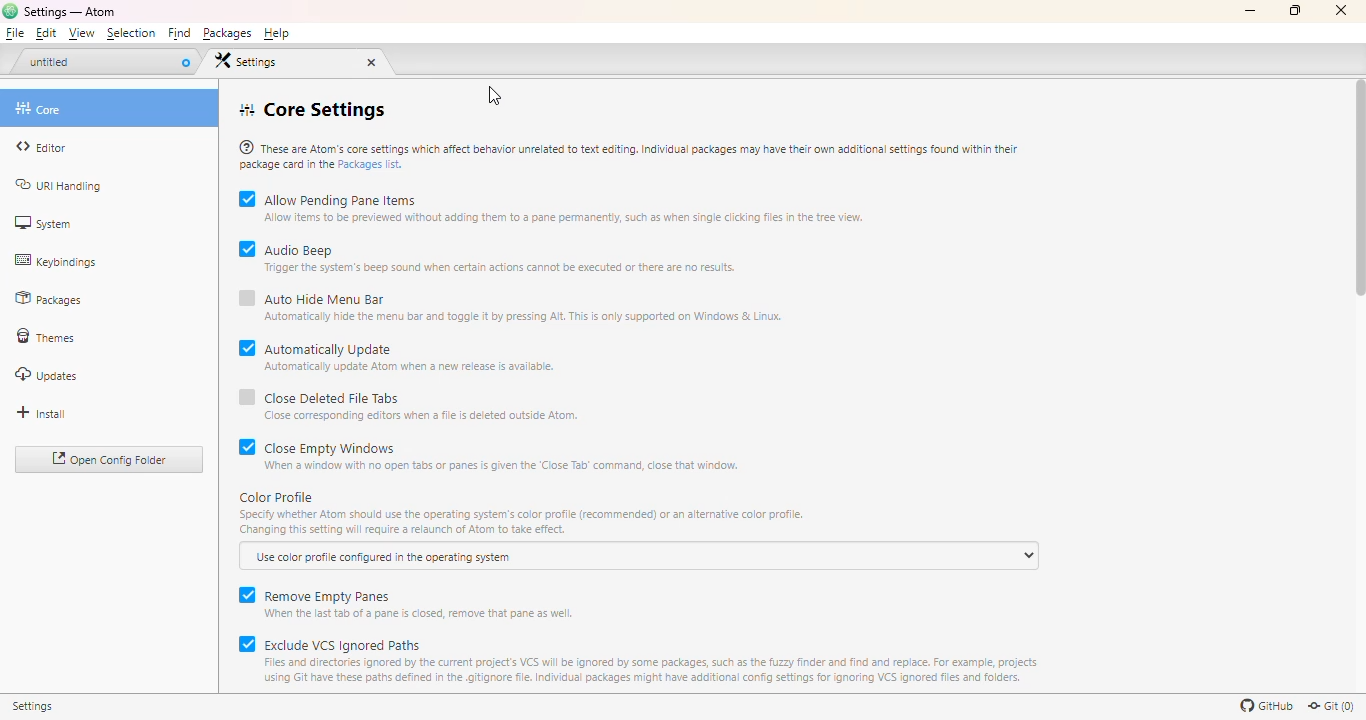 The width and height of the screenshot is (1366, 720). I want to click on untitled tab, so click(97, 62).